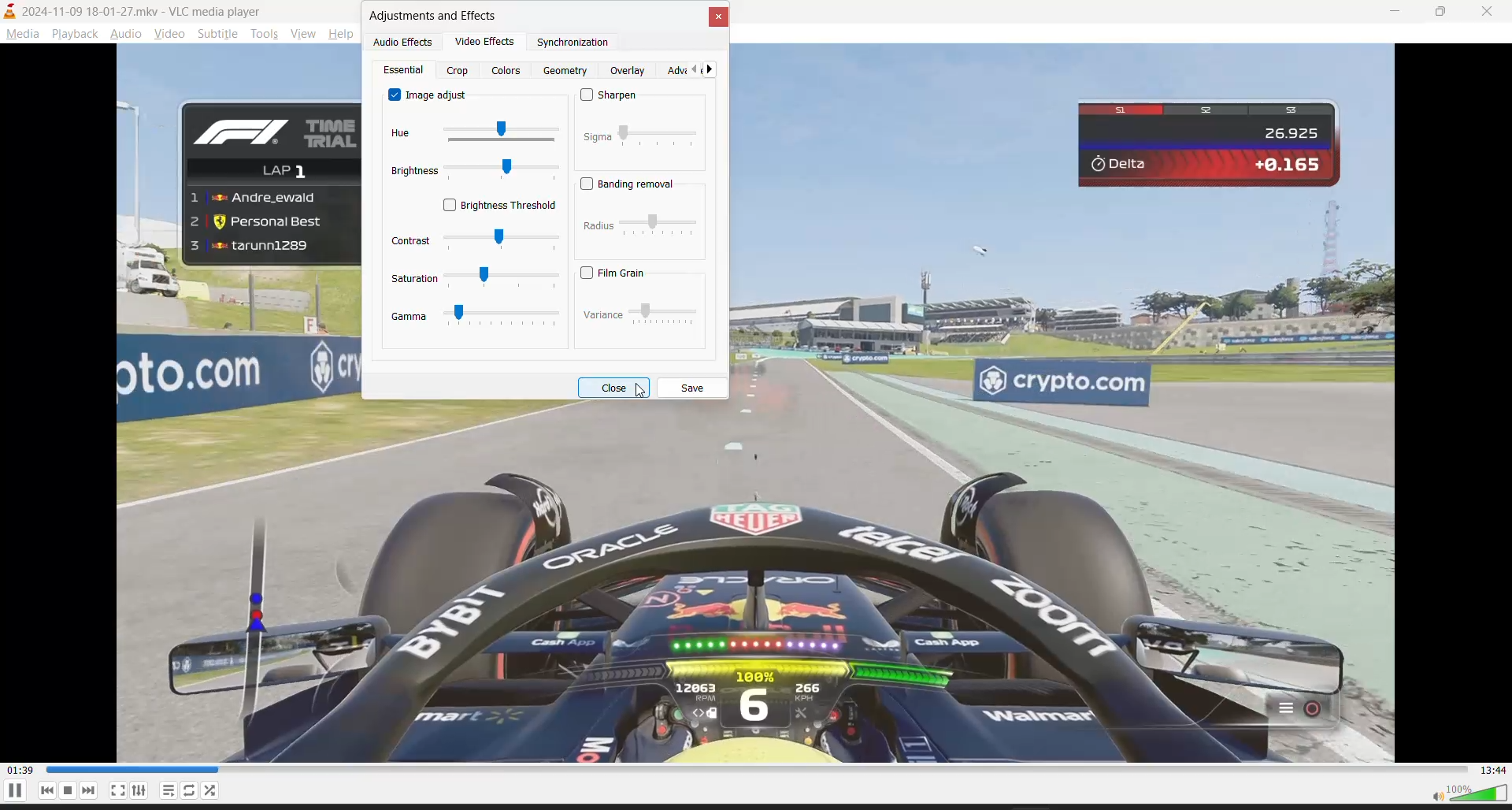  Describe the element at coordinates (474, 131) in the screenshot. I see `hue` at that location.